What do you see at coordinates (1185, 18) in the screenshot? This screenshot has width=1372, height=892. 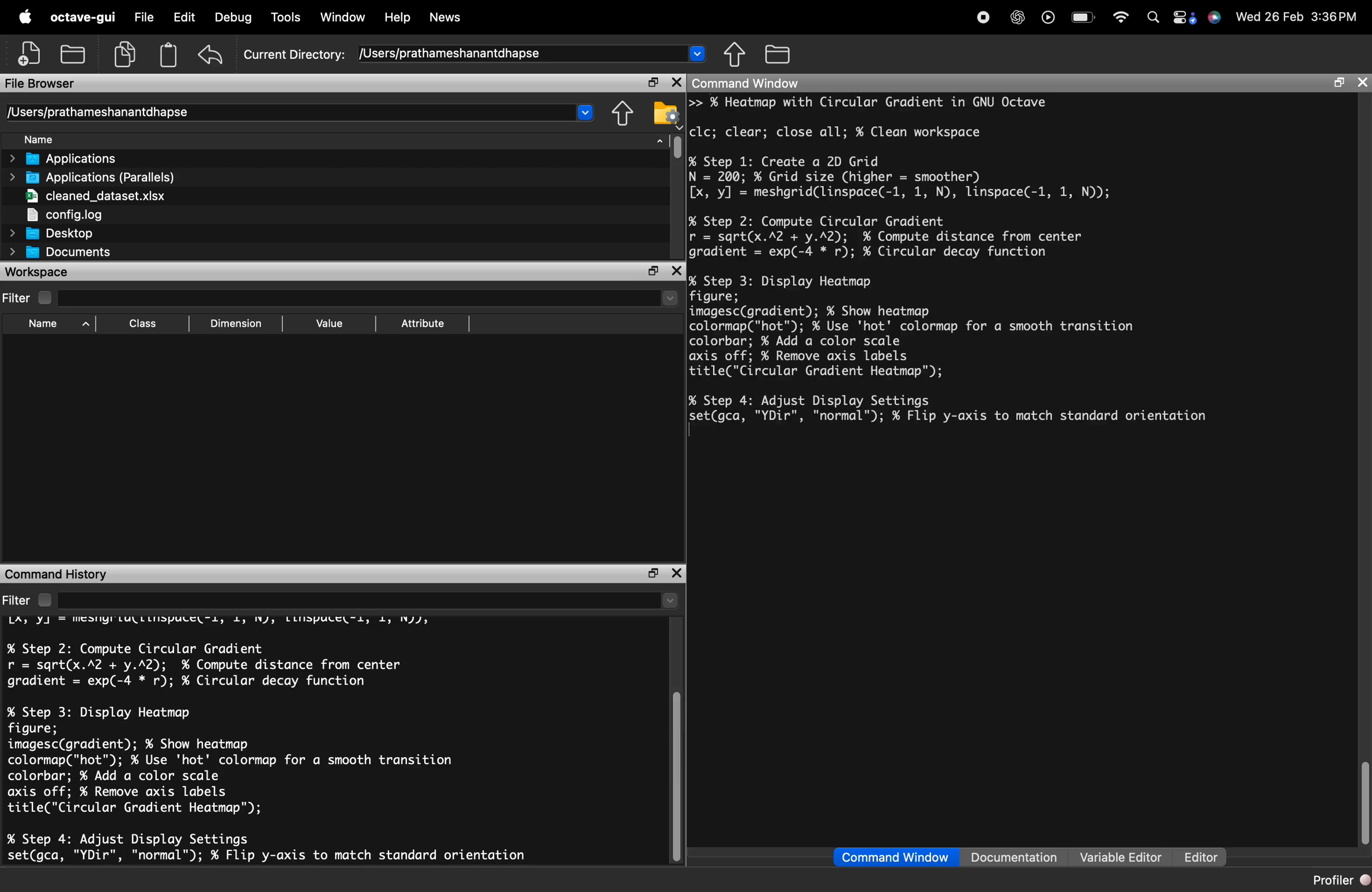 I see `control center` at bounding box center [1185, 18].